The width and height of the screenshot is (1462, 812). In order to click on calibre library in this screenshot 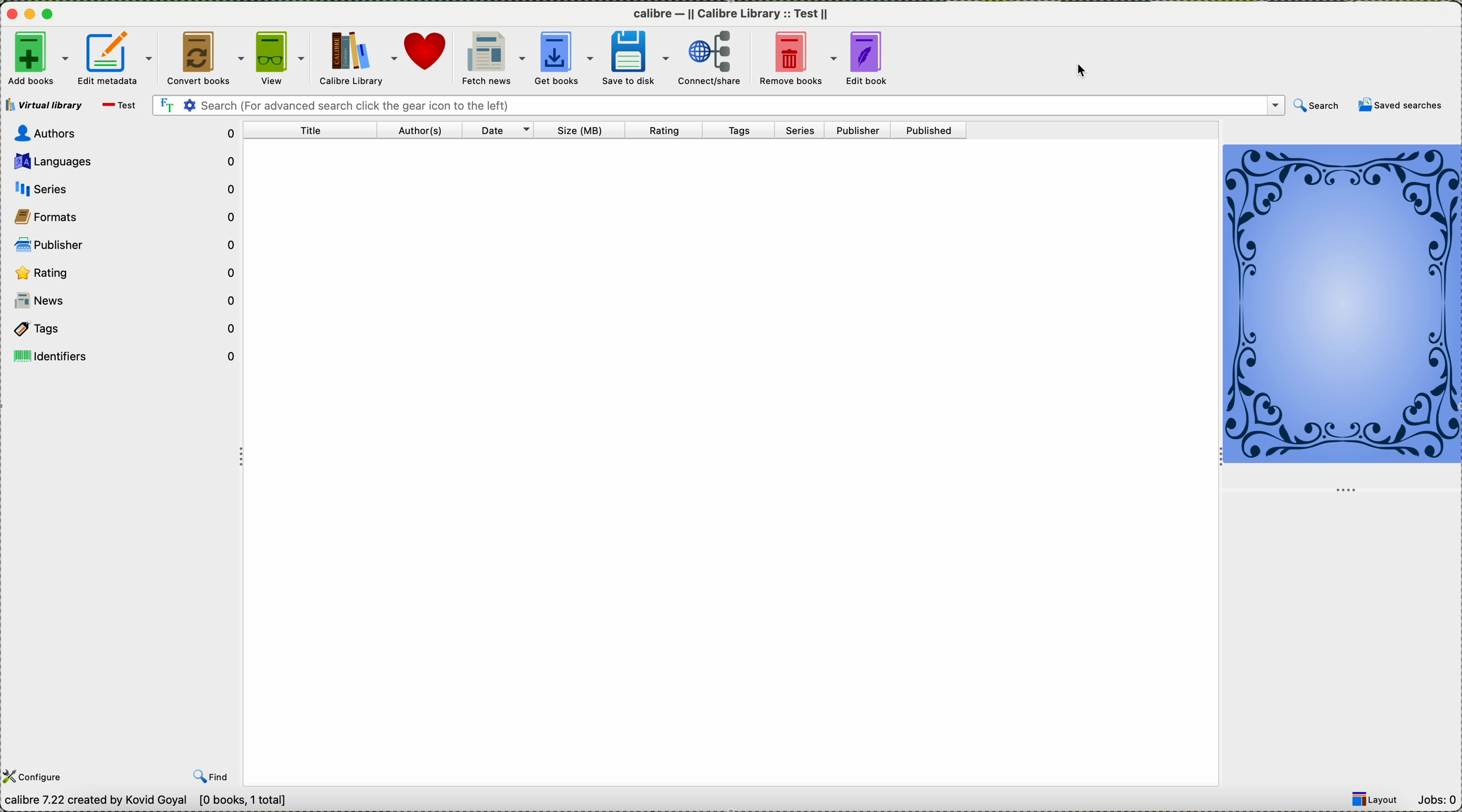, I will do `click(360, 58)`.